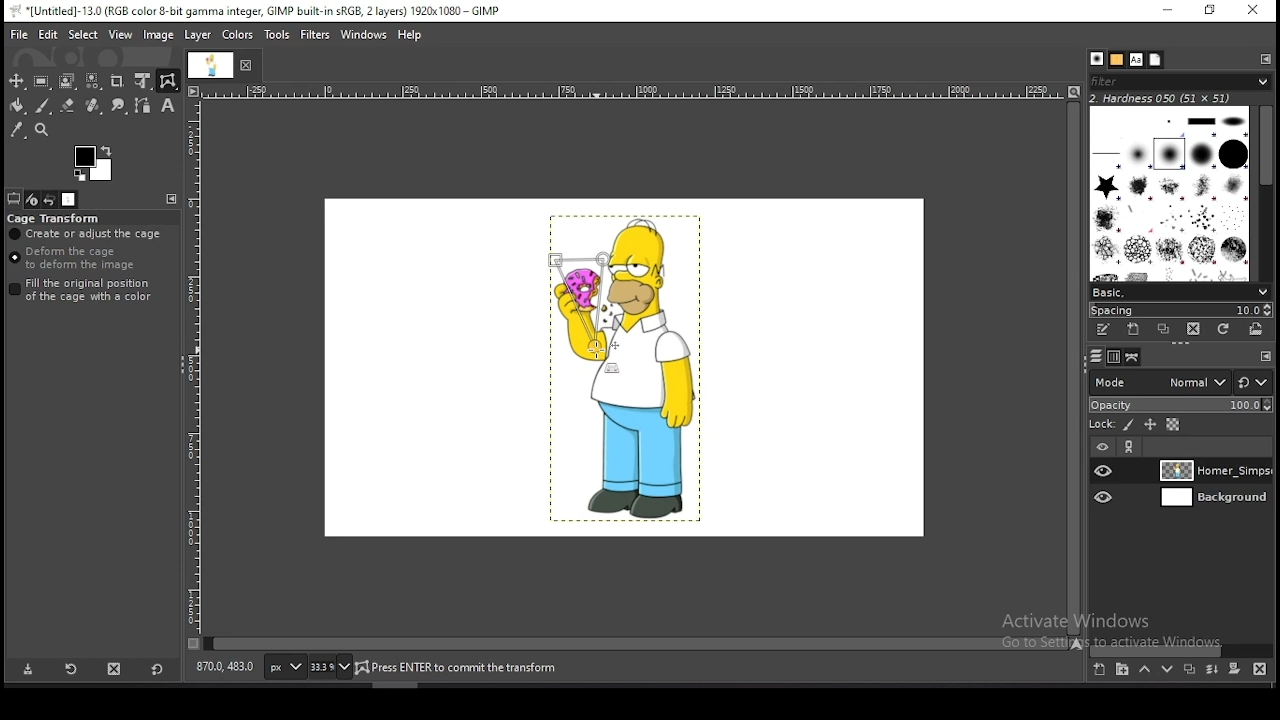 The width and height of the screenshot is (1280, 720). What do you see at coordinates (329, 667) in the screenshot?
I see `zoom status` at bounding box center [329, 667].